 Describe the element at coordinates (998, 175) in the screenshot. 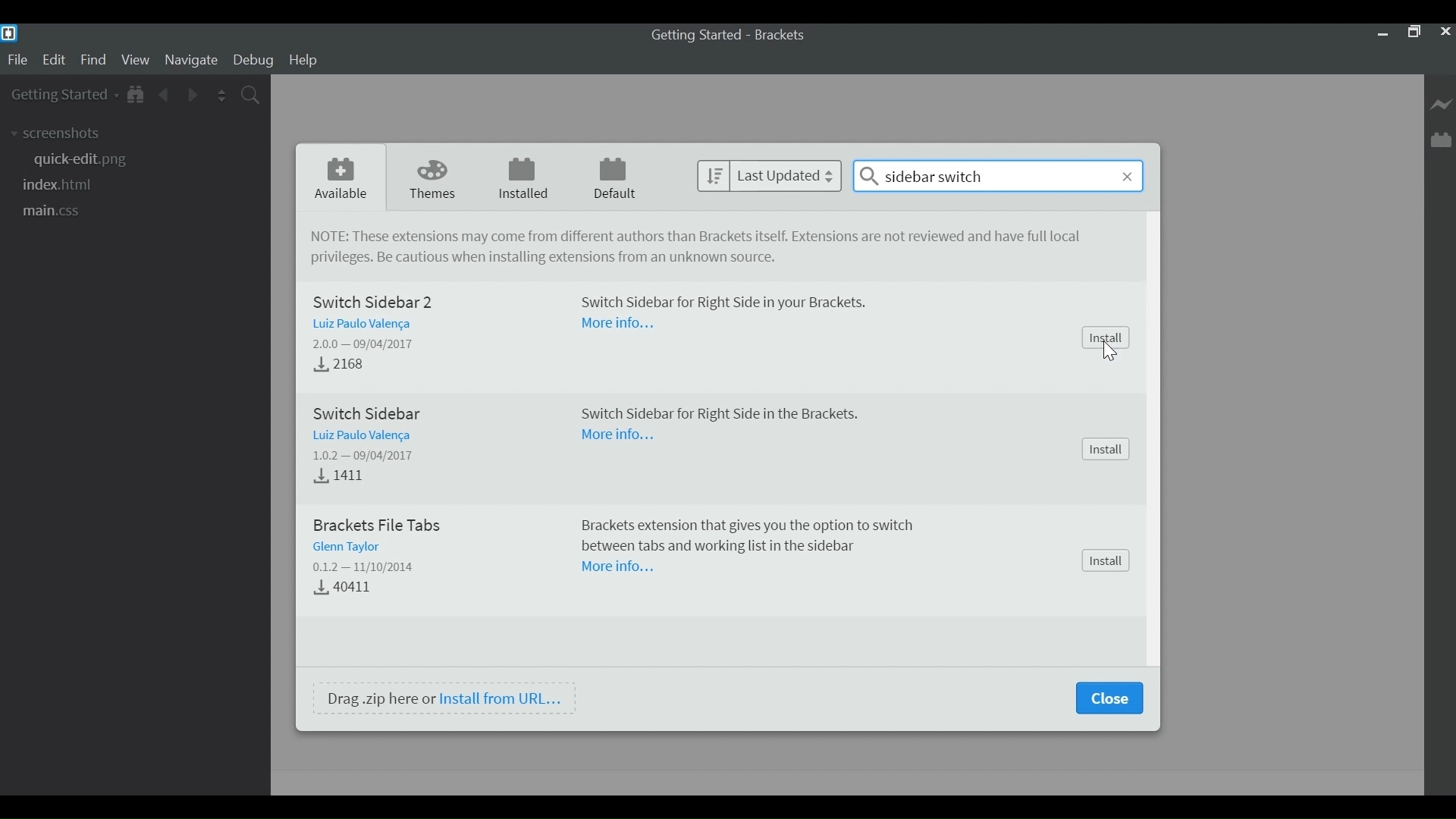

I see `Sidebar switch` at that location.